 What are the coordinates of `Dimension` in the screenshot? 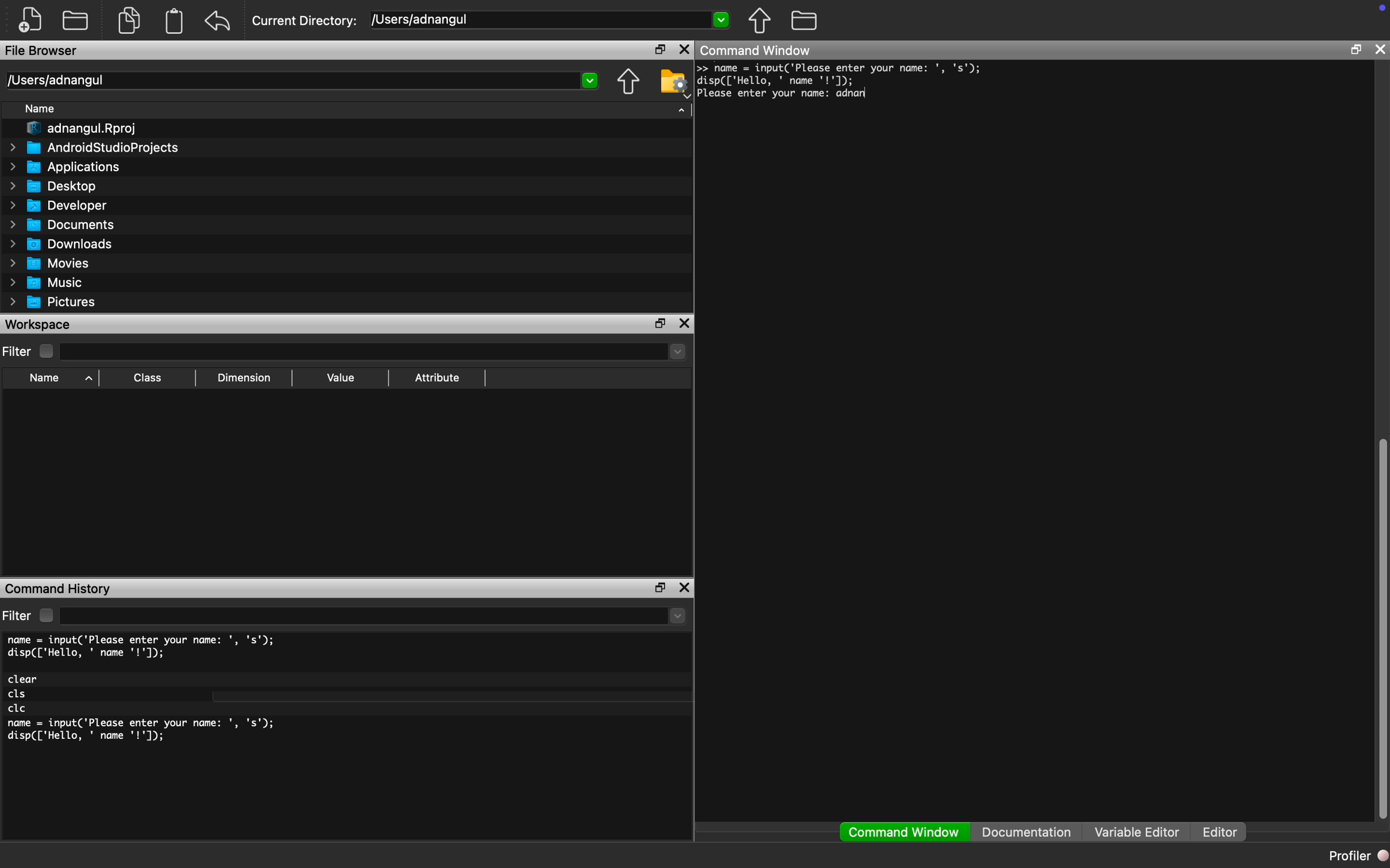 It's located at (244, 378).